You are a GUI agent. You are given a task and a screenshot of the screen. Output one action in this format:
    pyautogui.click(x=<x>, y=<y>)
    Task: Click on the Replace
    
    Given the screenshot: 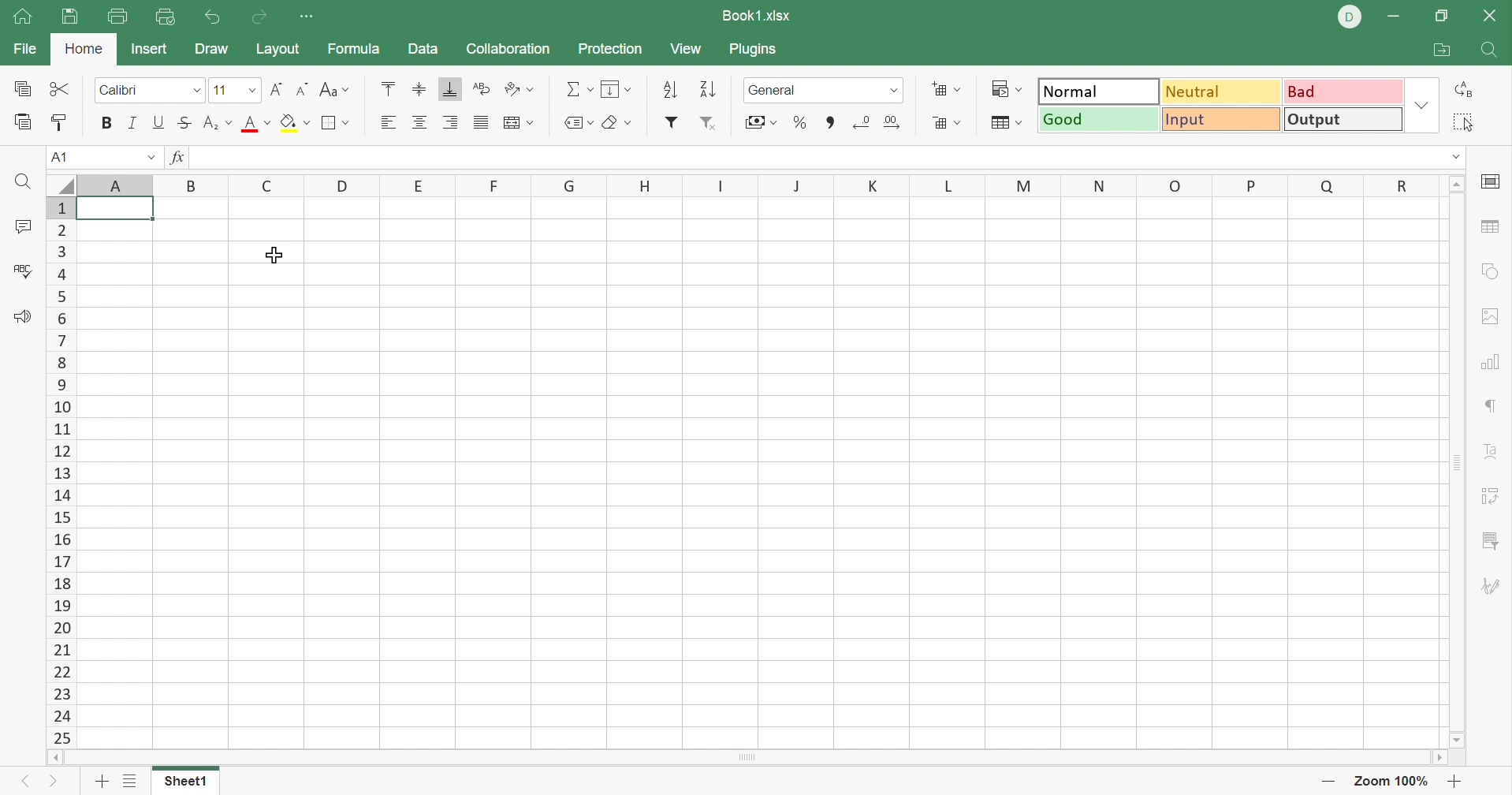 What is the action you would take?
    pyautogui.click(x=1461, y=88)
    